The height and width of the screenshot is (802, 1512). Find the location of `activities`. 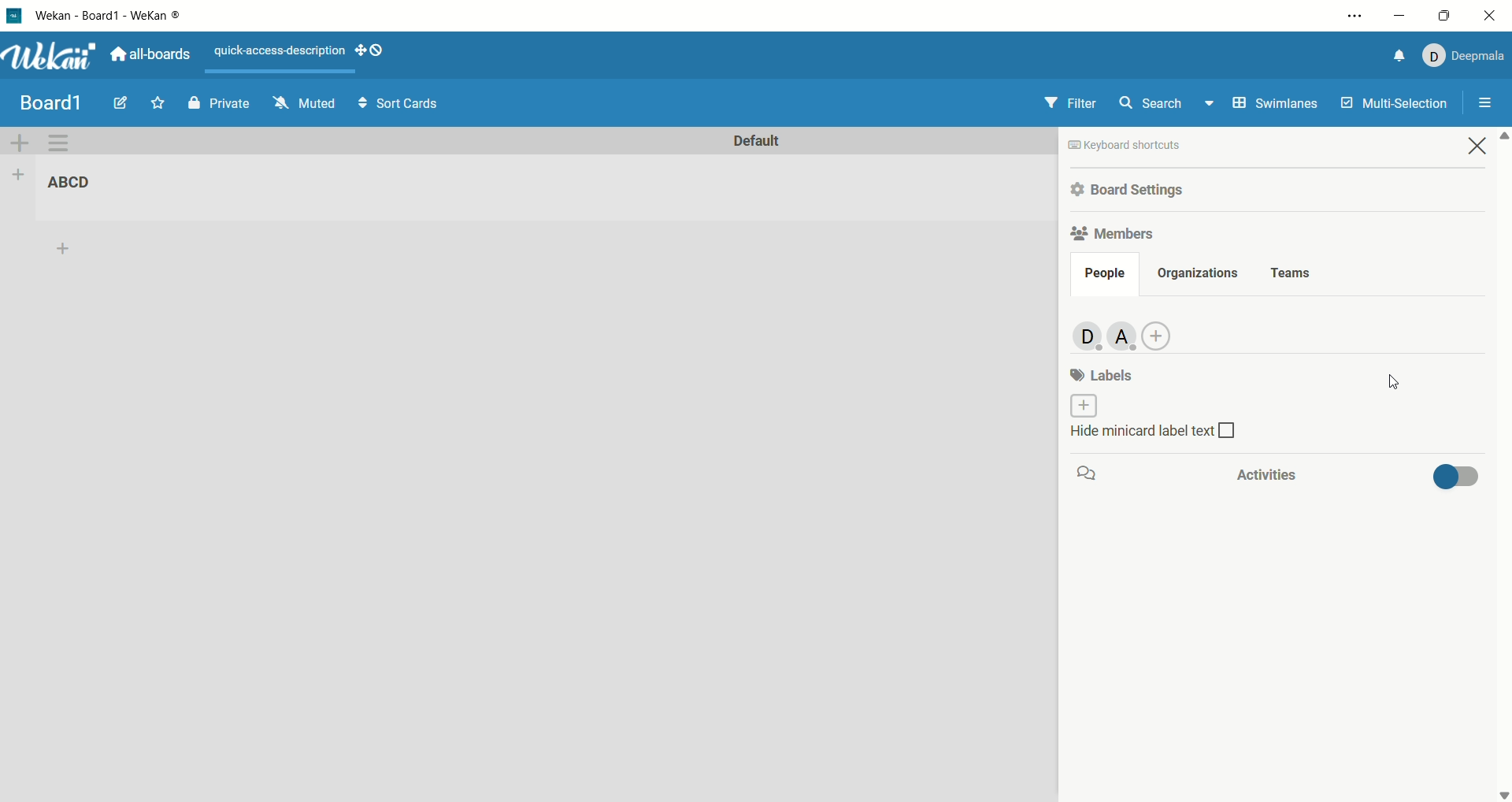

activities is located at coordinates (1275, 481).